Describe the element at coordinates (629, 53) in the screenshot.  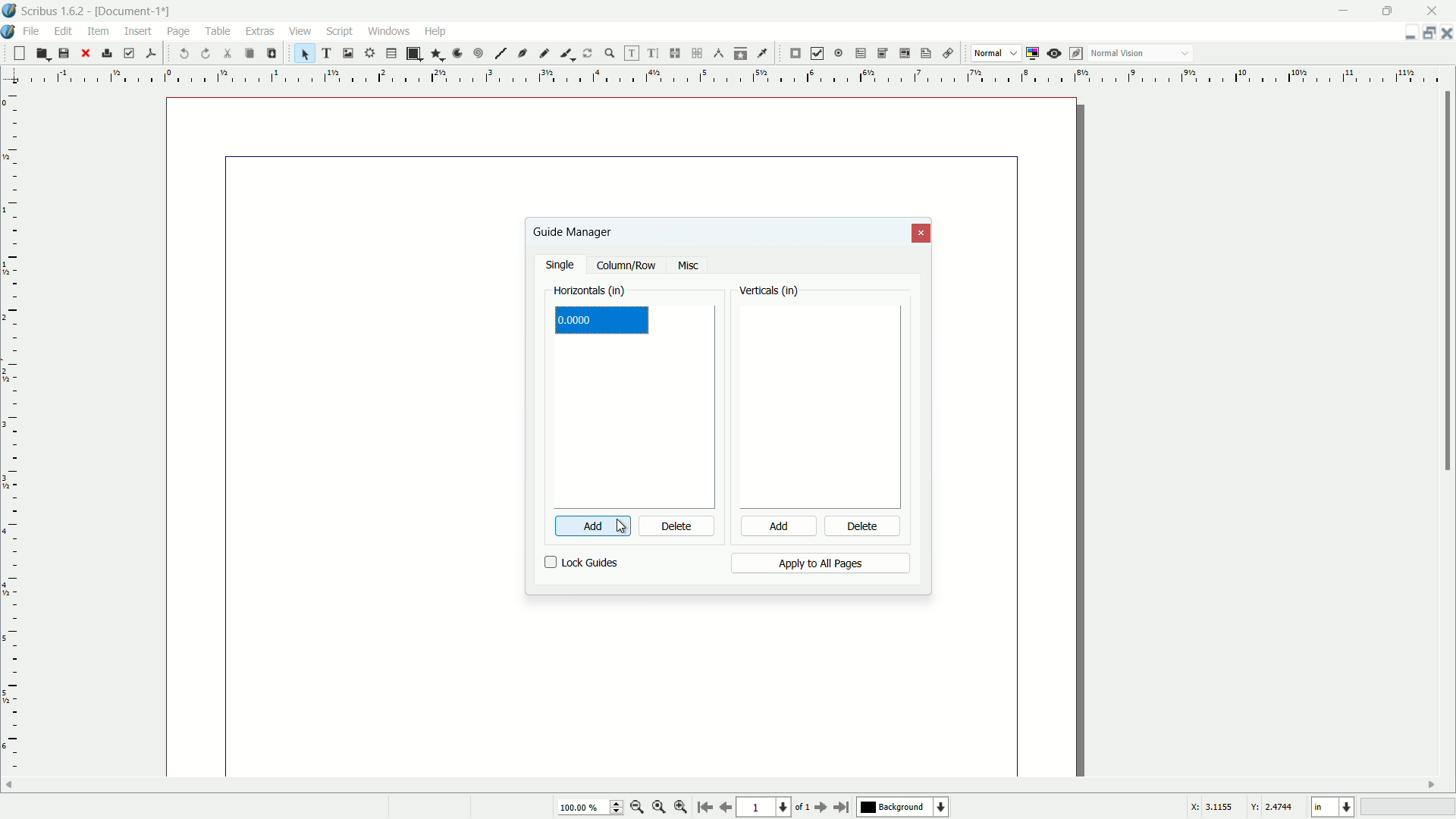
I see `edit contents of frame` at that location.